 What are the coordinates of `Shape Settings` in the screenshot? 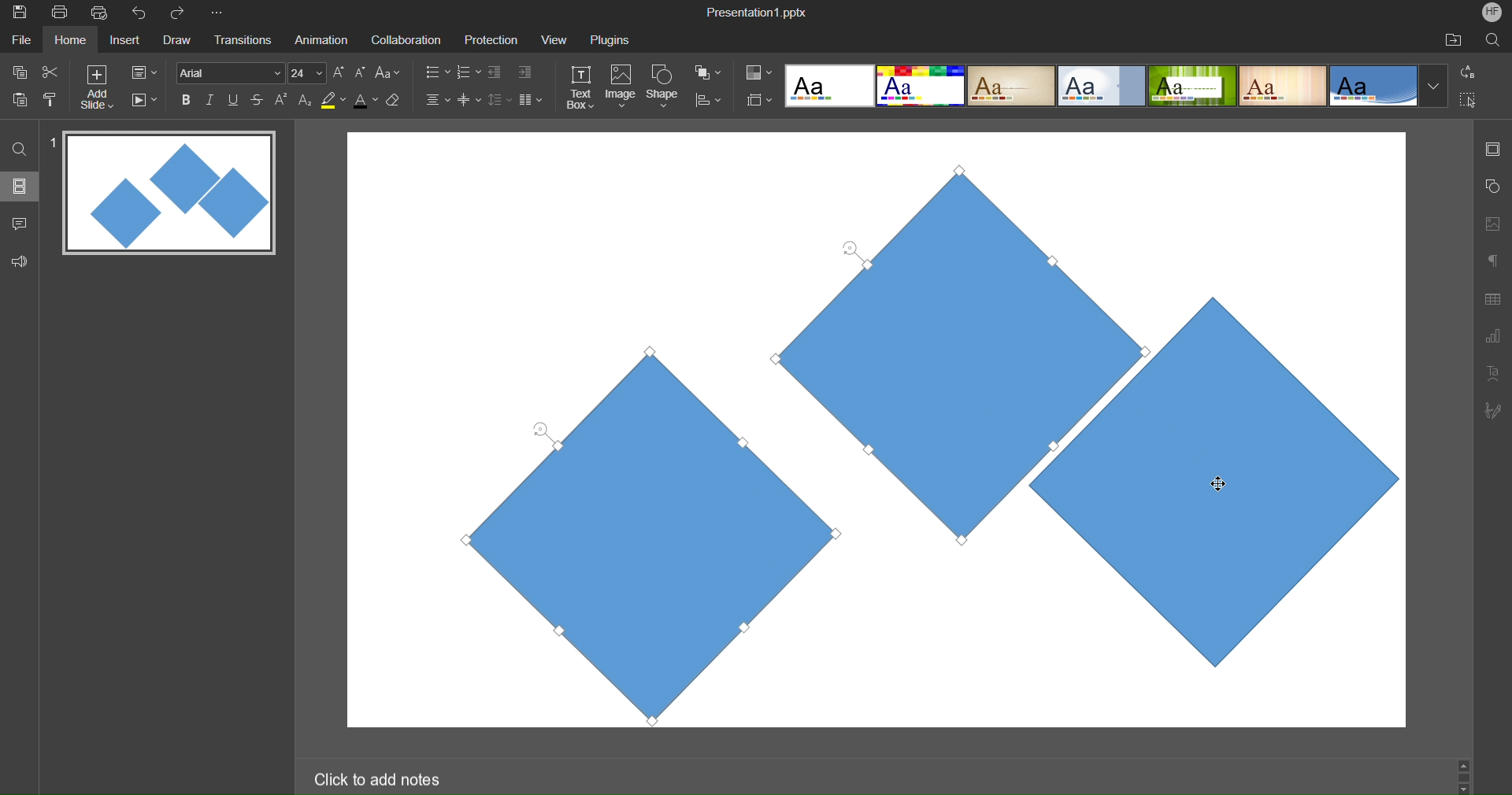 It's located at (1492, 187).